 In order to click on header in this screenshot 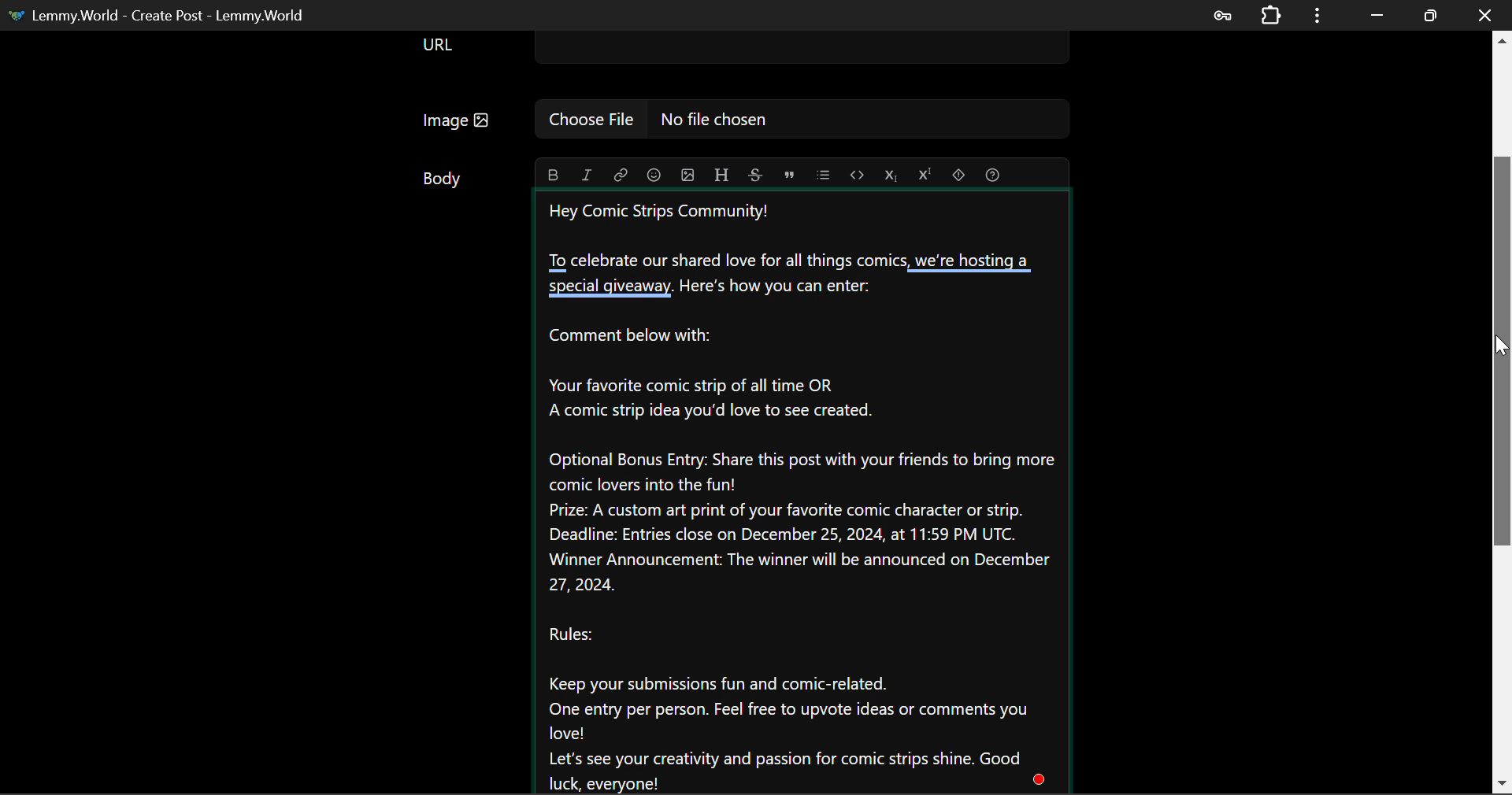, I will do `click(722, 176)`.